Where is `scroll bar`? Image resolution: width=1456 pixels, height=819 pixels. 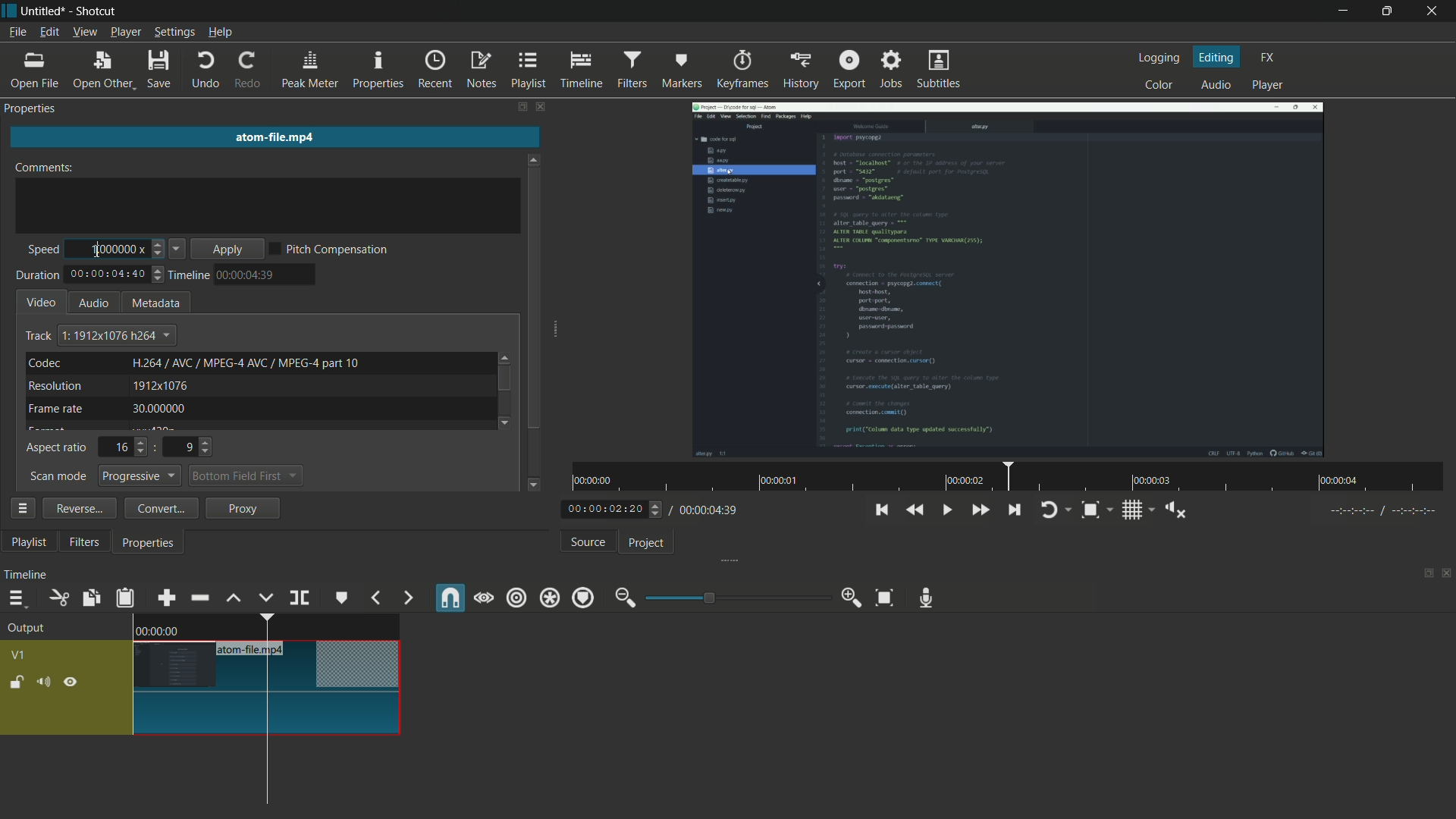 scroll bar is located at coordinates (535, 297).